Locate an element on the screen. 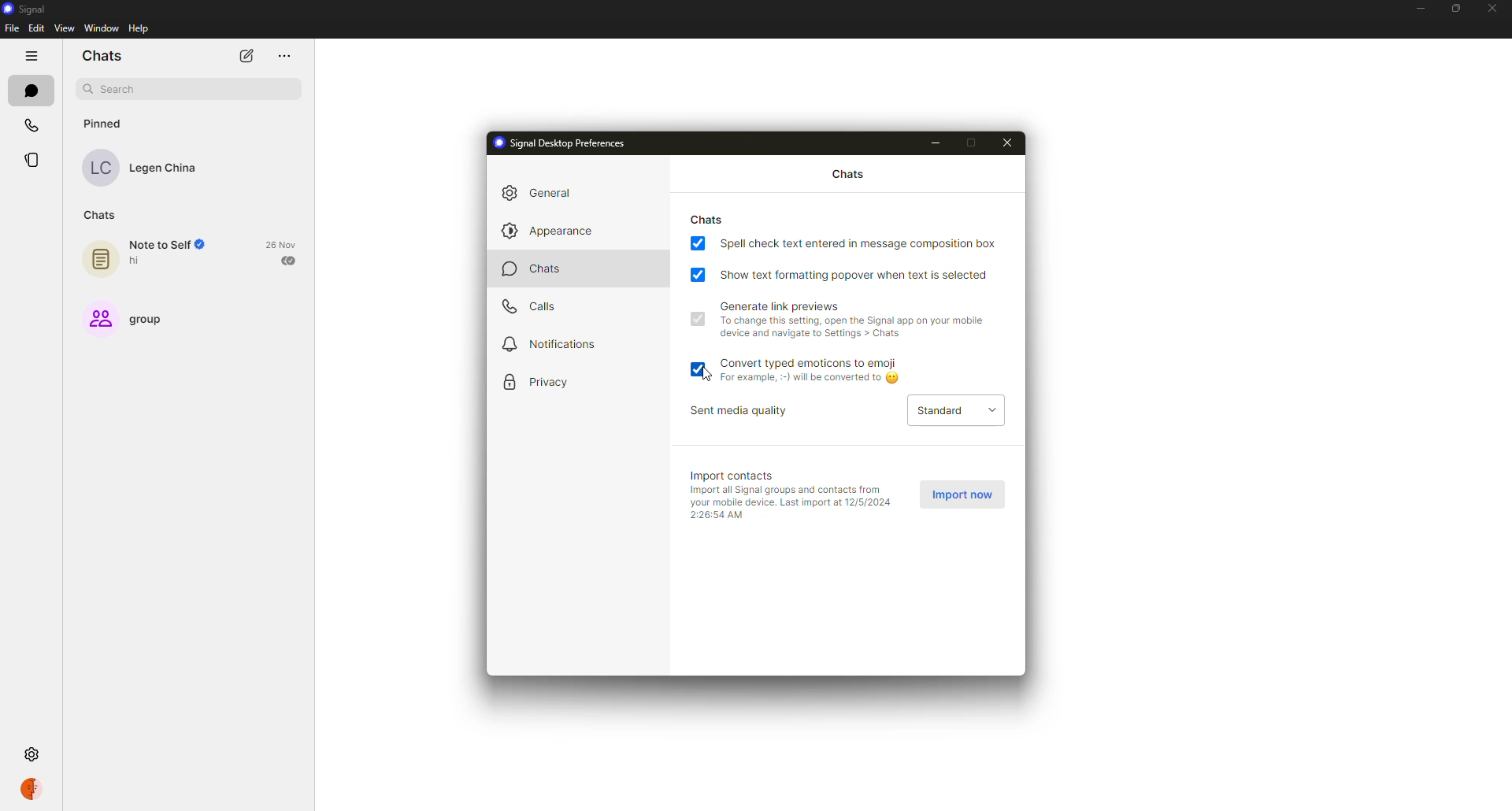 The height and width of the screenshot is (811, 1512). settings is located at coordinates (33, 755).